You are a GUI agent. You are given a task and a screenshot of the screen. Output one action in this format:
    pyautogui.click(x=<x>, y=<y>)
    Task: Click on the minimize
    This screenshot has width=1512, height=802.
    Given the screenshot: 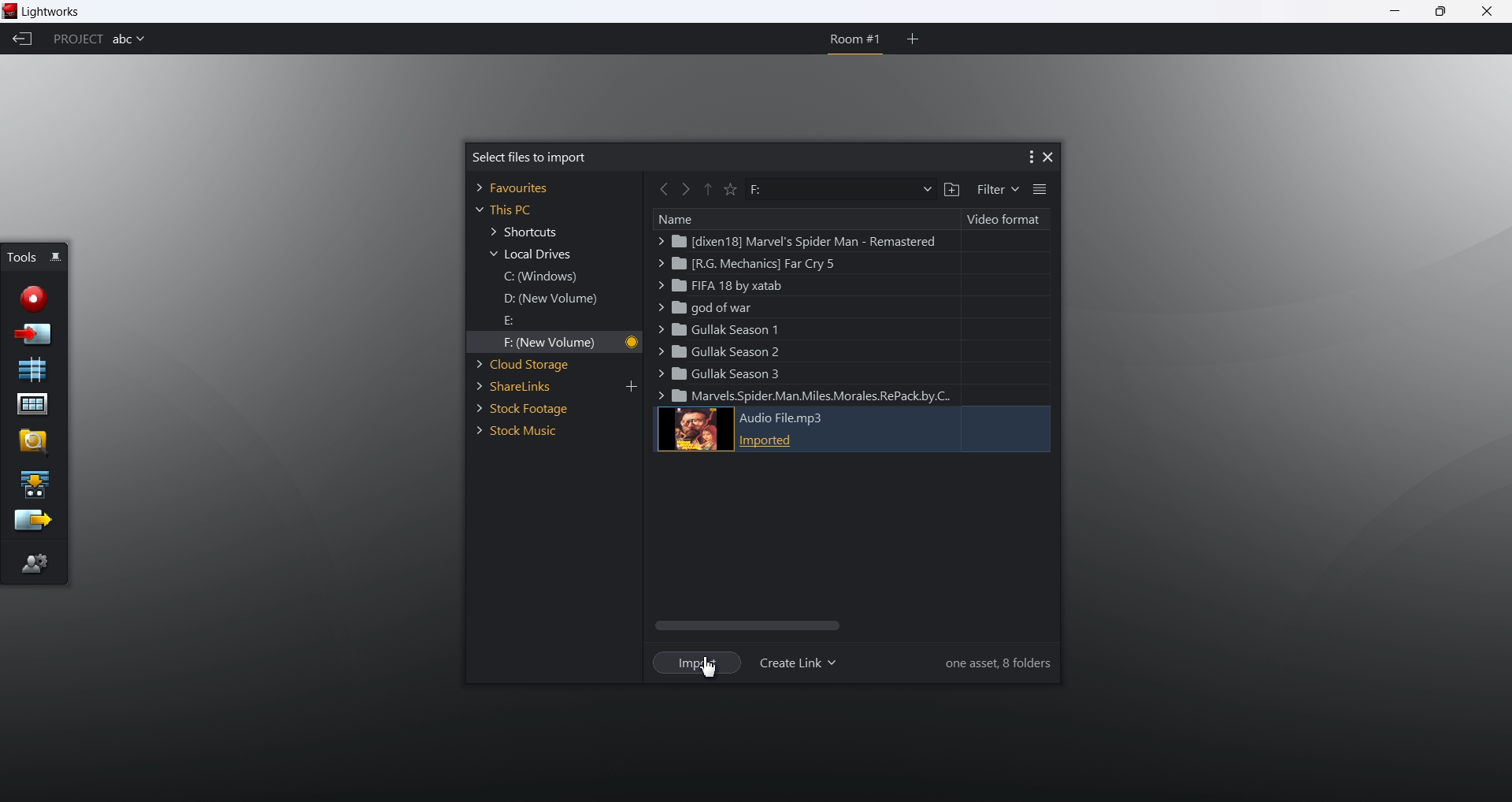 What is the action you would take?
    pyautogui.click(x=1395, y=13)
    